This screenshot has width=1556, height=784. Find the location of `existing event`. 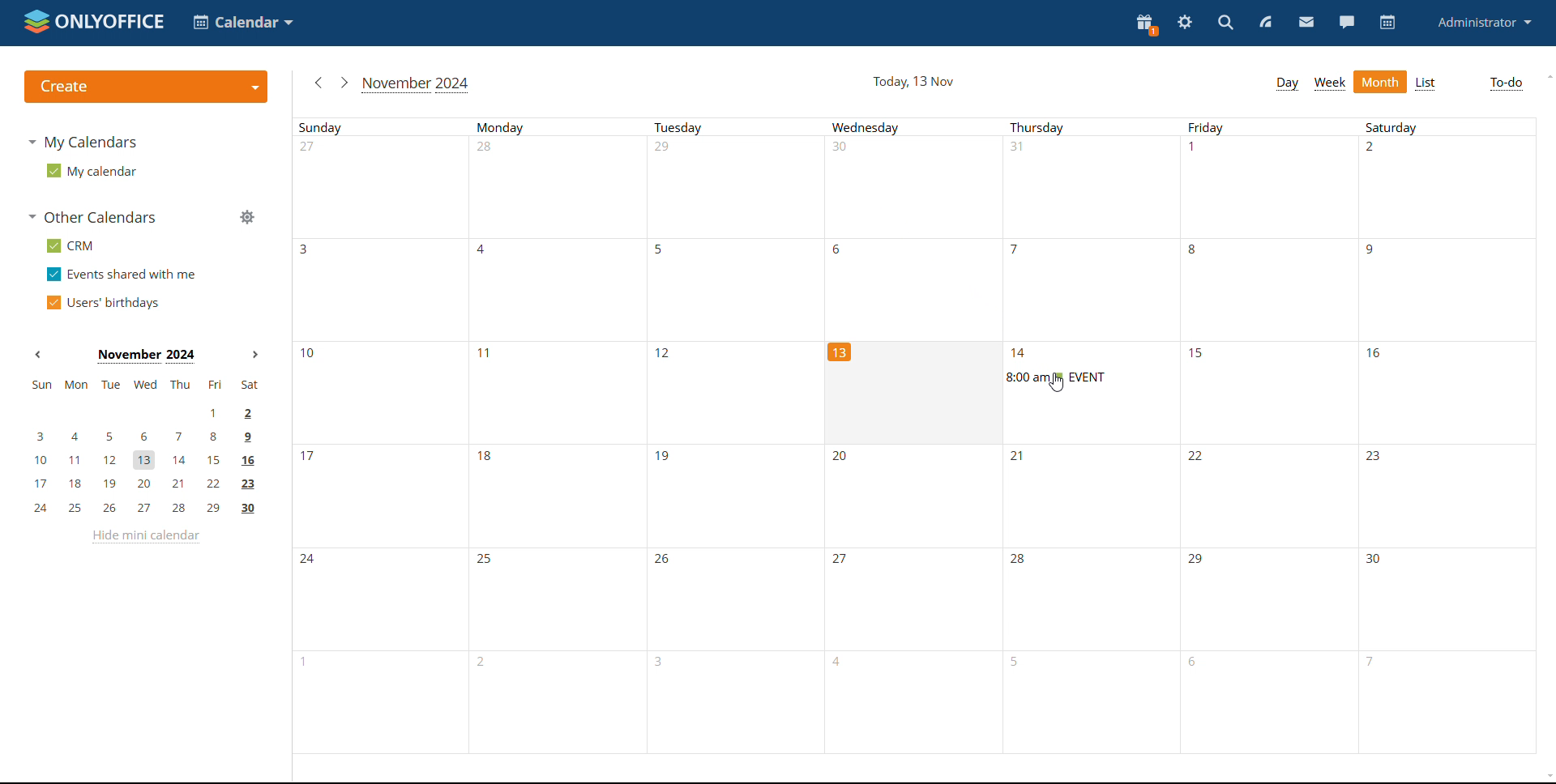

existing event is located at coordinates (1054, 377).